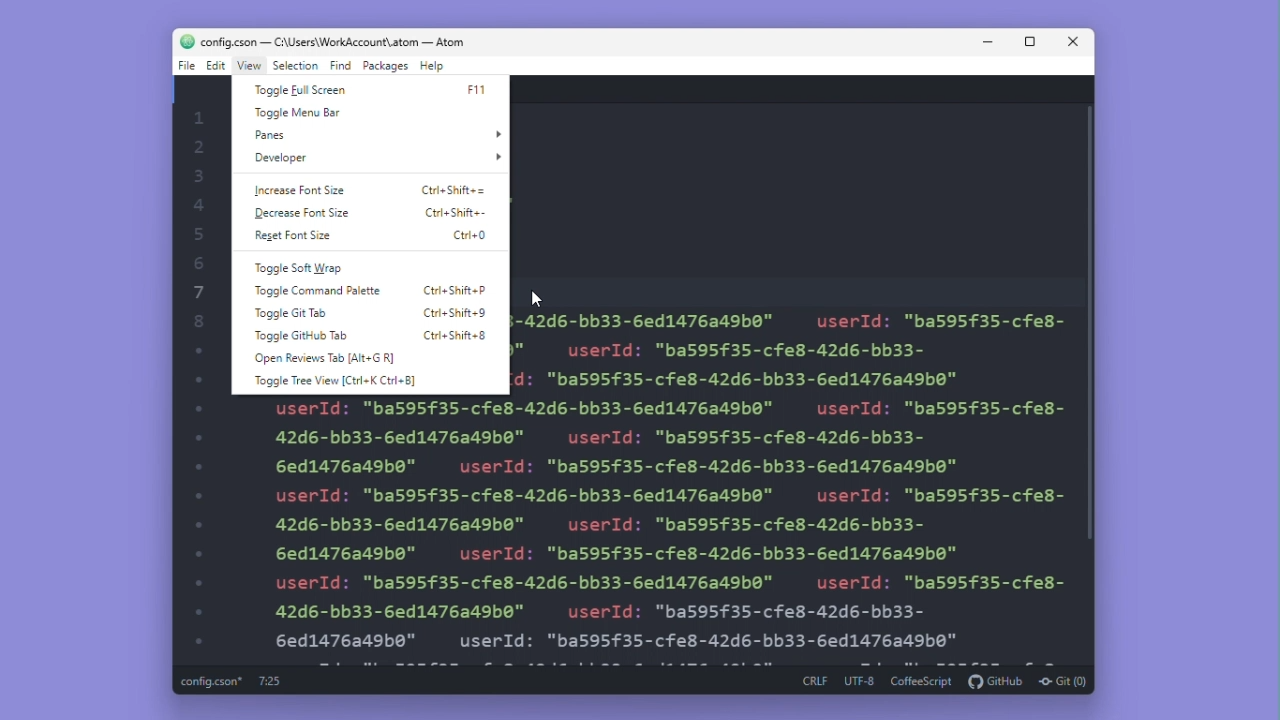  I want to click on open reviews tab, so click(322, 357).